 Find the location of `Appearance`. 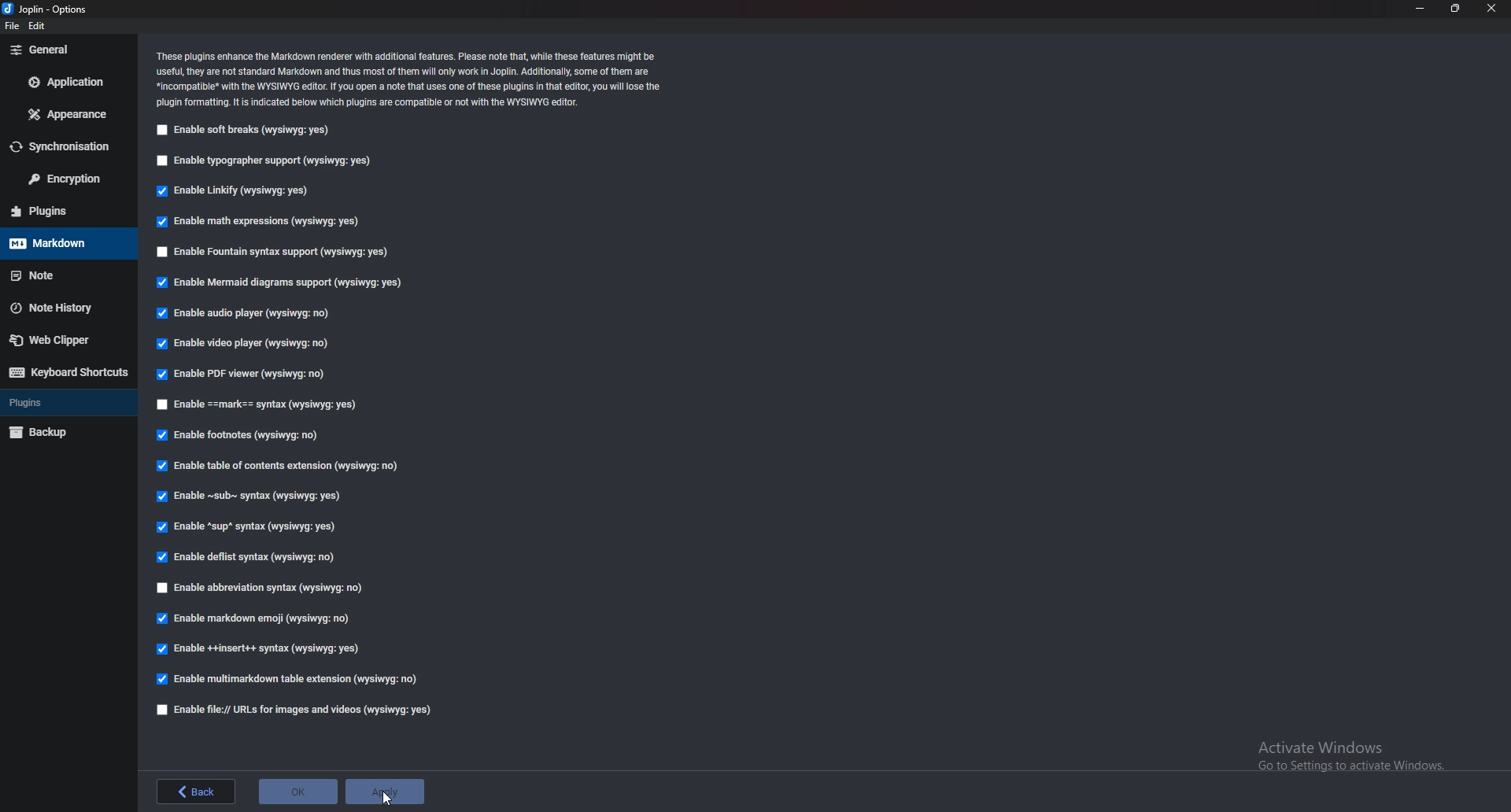

Appearance is located at coordinates (66, 116).